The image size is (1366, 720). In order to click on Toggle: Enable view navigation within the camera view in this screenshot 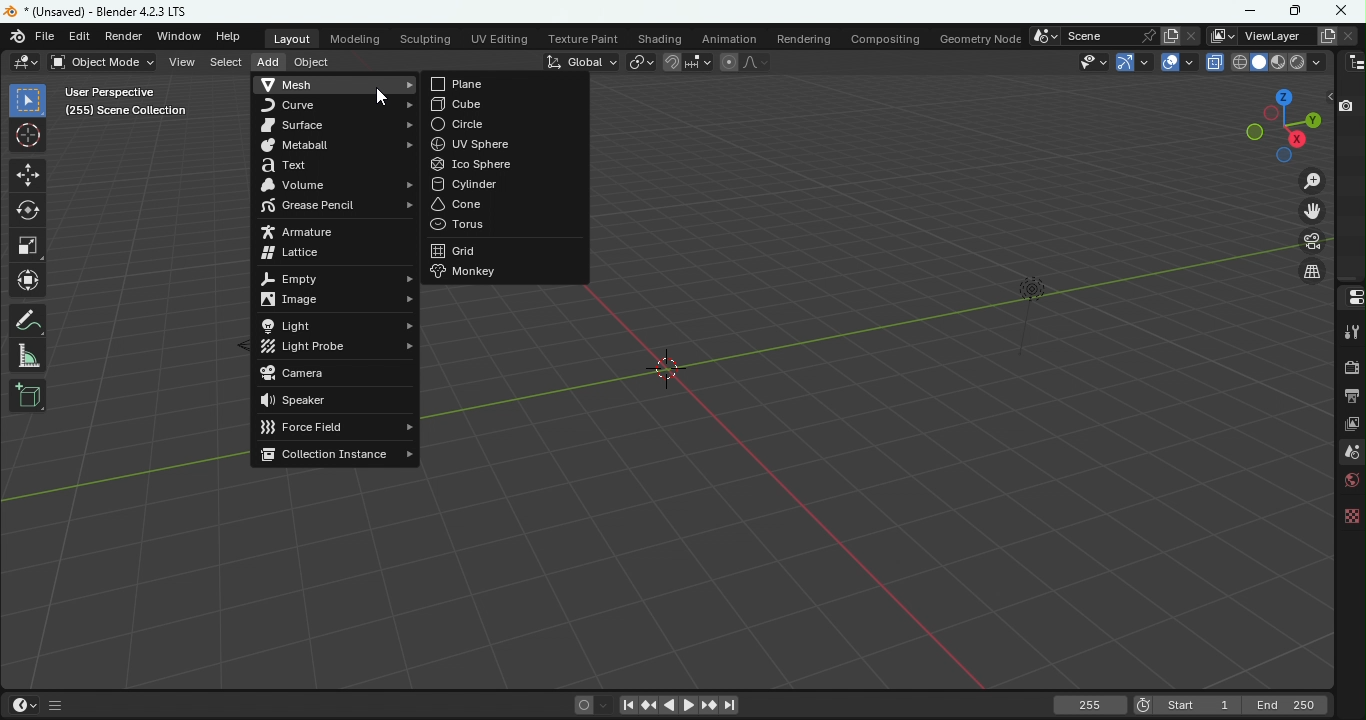, I will do `click(1311, 272)`.